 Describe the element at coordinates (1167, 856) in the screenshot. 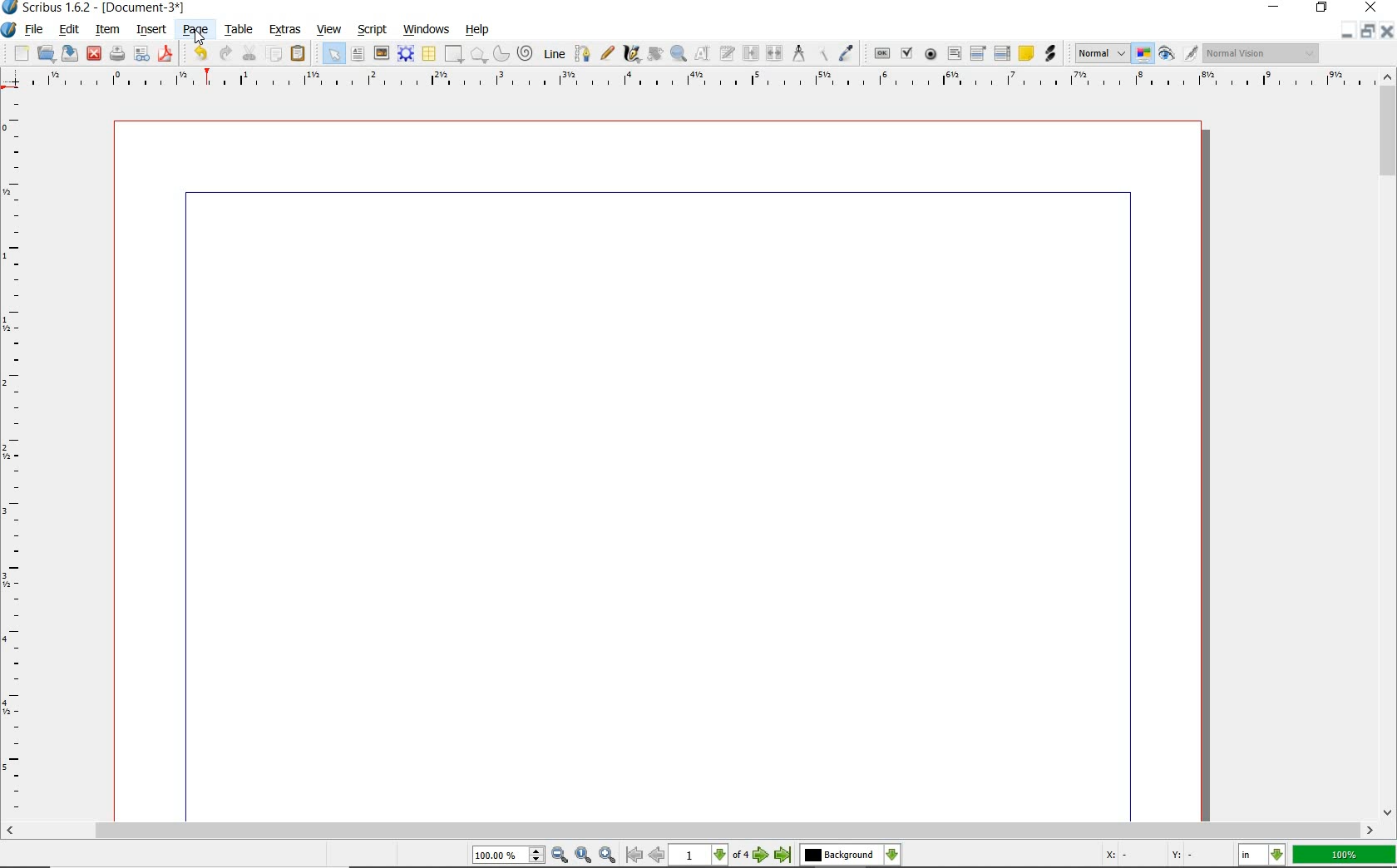

I see `Cursor Coordinates` at that location.